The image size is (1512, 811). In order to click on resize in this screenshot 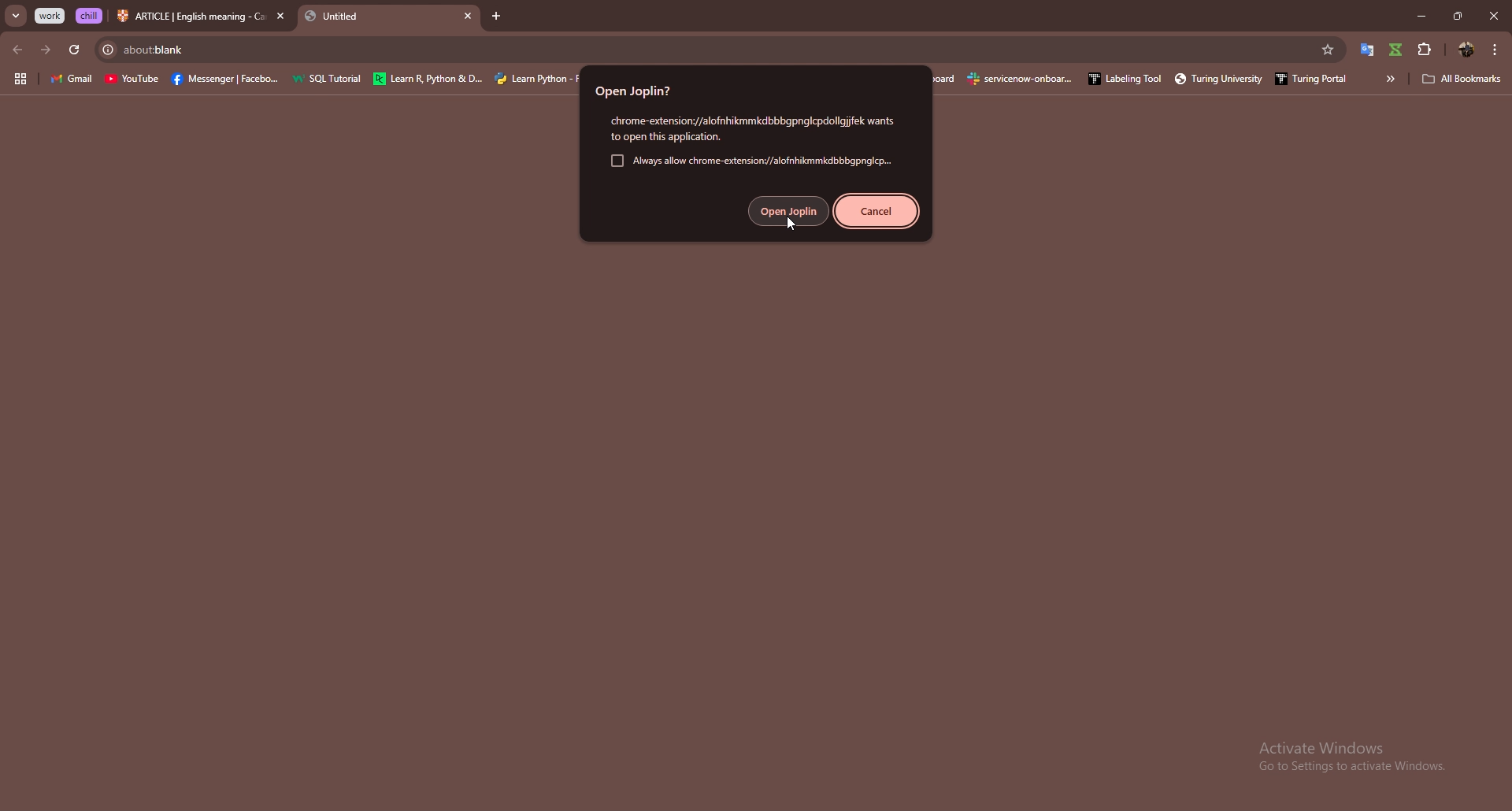, I will do `click(1457, 15)`.